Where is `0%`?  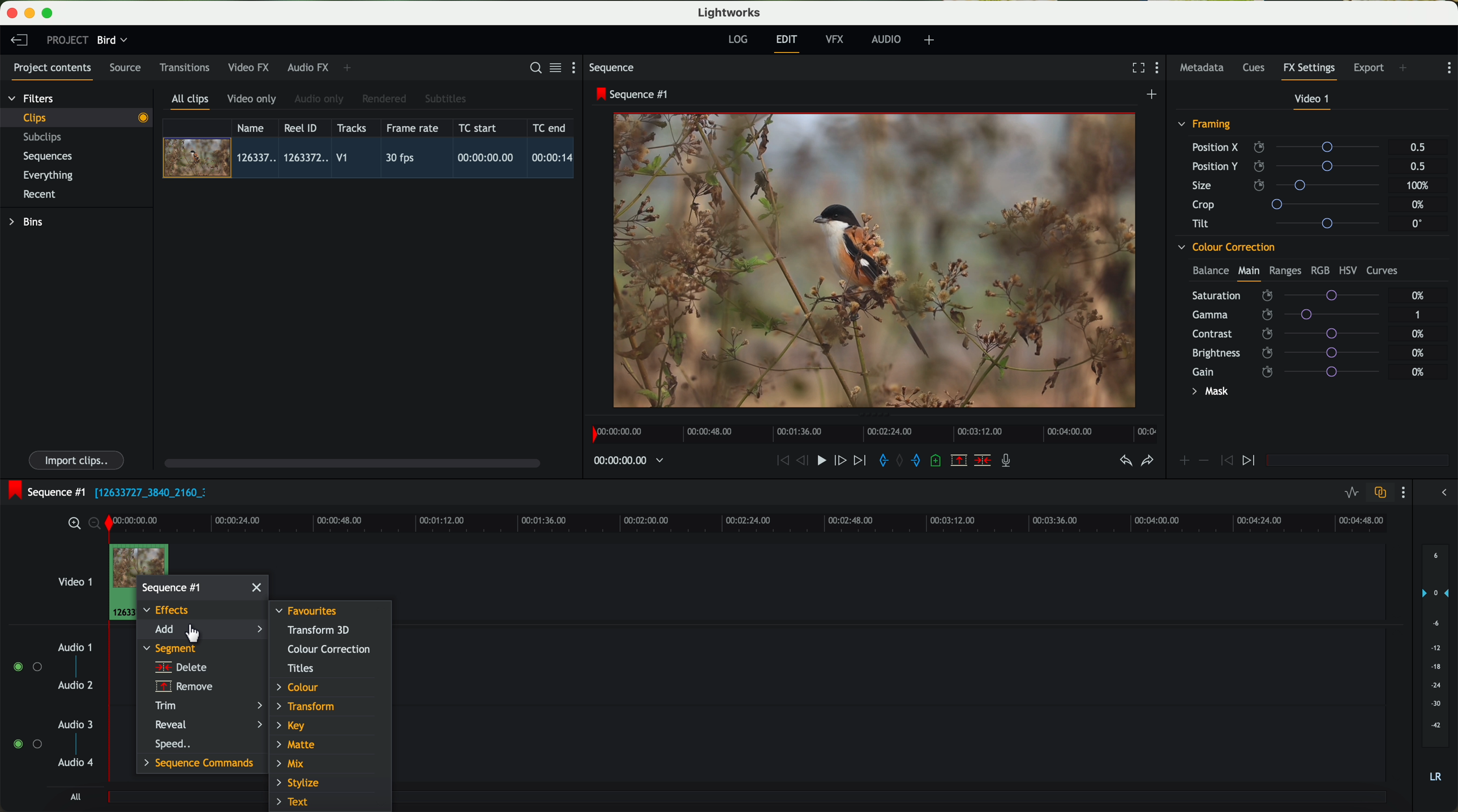
0% is located at coordinates (1420, 205).